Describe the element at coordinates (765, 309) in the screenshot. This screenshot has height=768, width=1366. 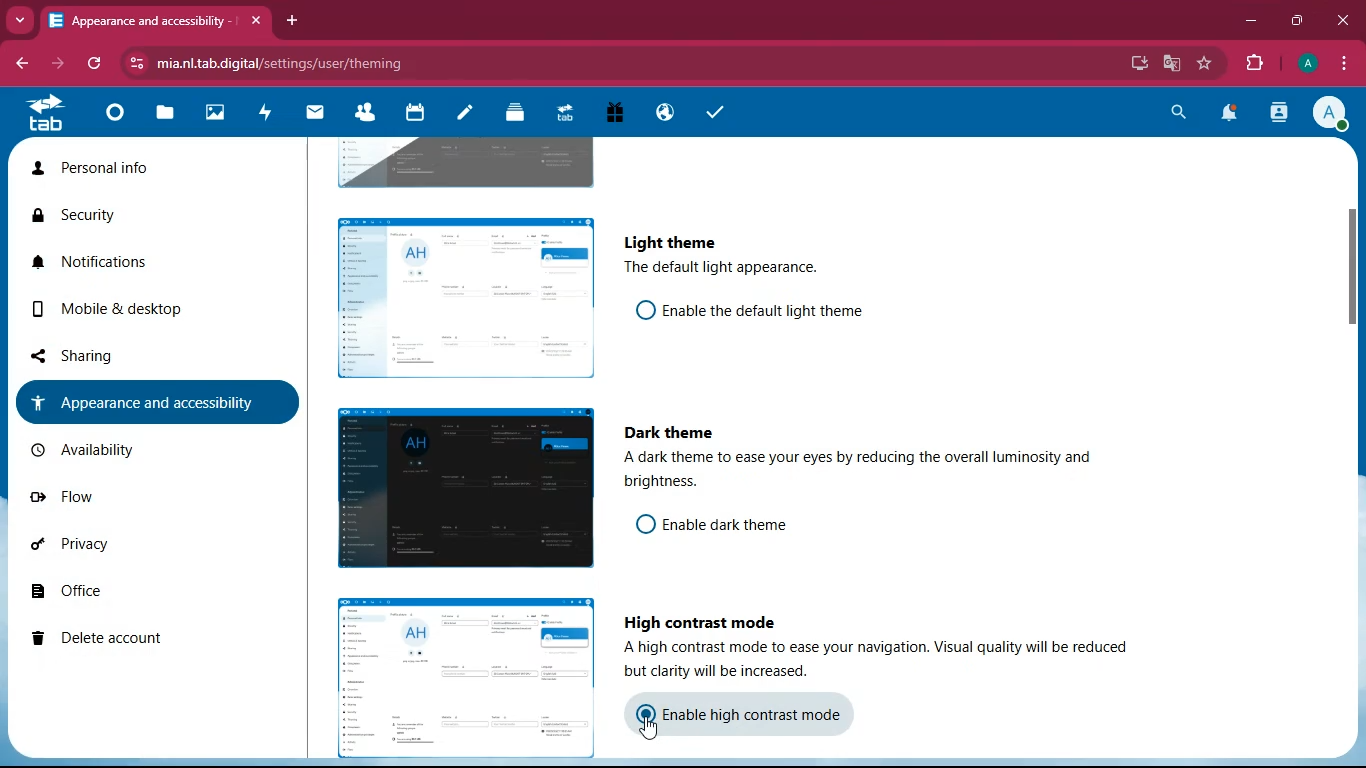
I see `enable` at that location.